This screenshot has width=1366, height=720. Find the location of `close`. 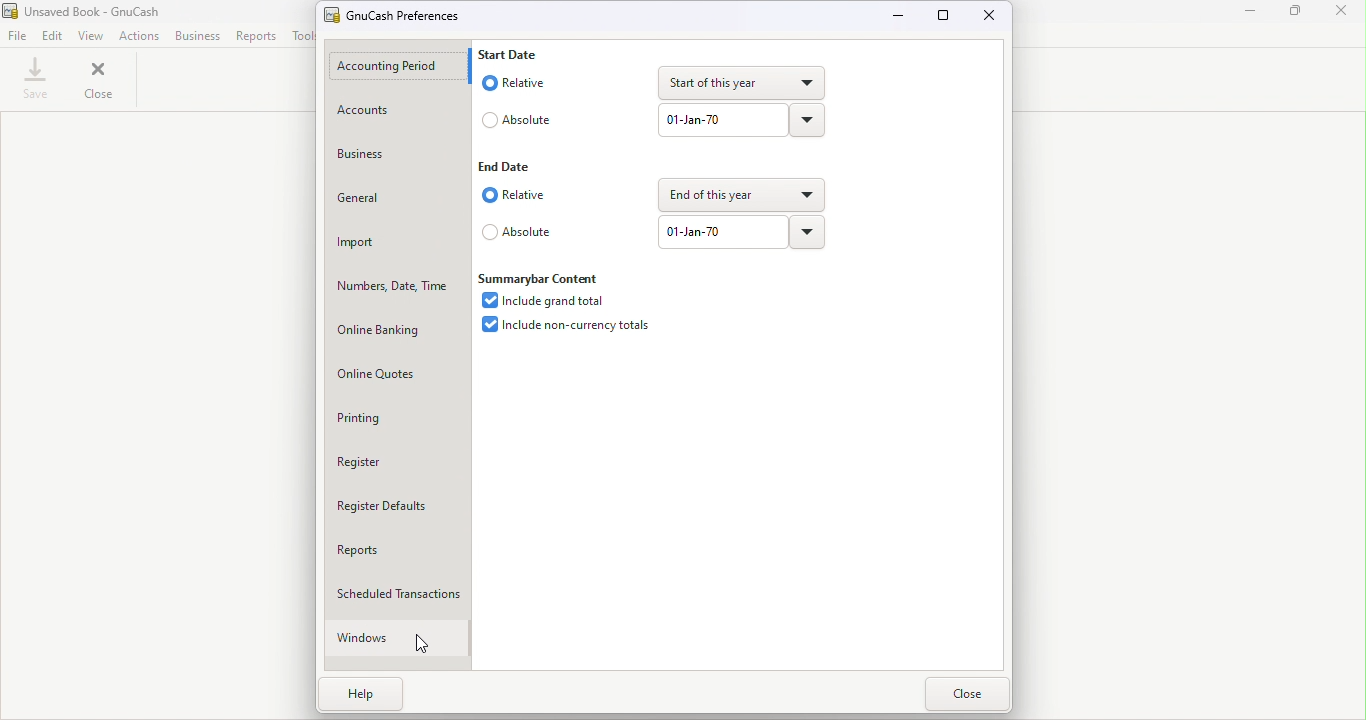

close is located at coordinates (102, 78).